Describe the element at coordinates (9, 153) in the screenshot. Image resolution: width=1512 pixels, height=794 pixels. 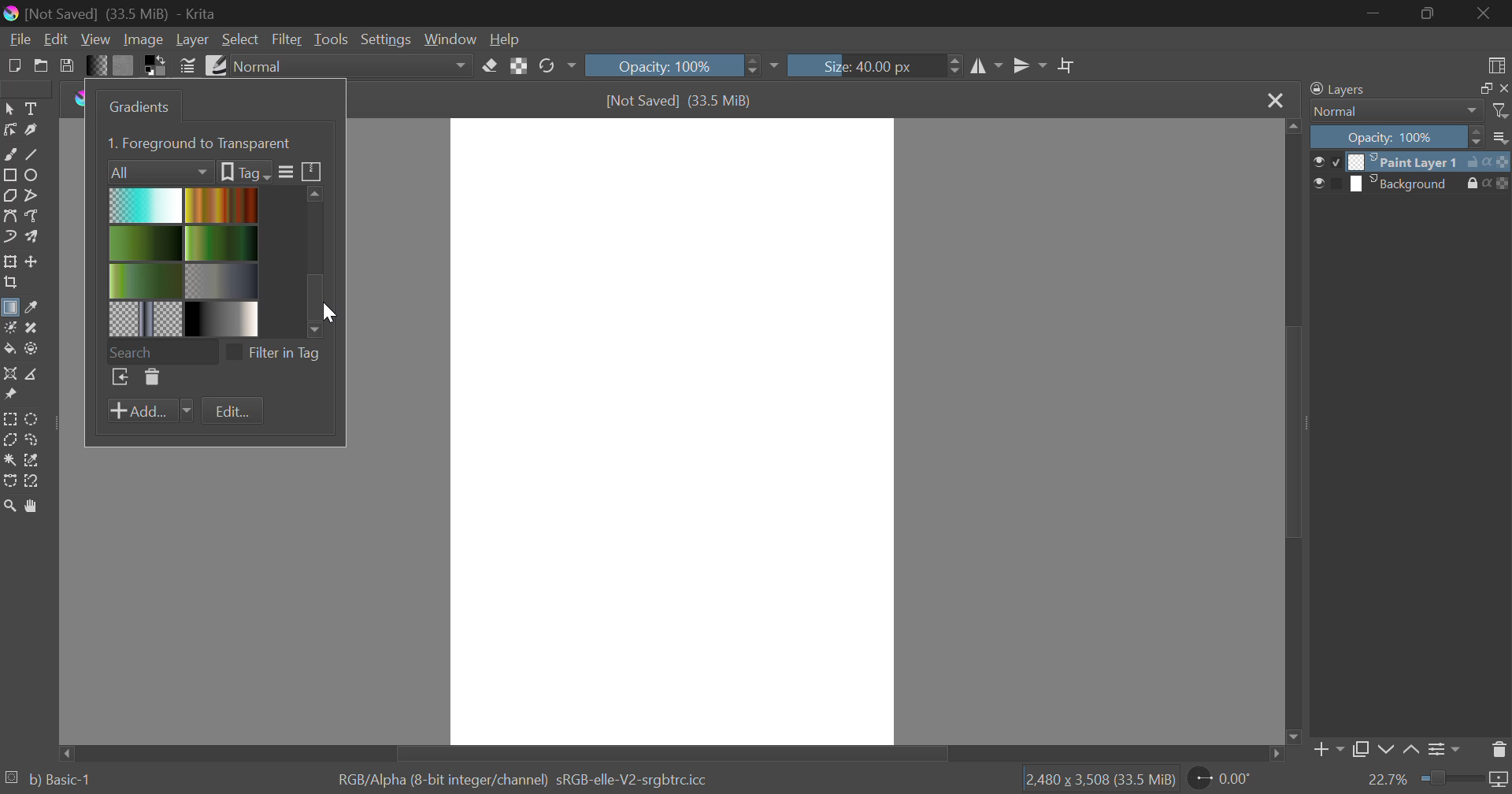
I see `Freehand` at that location.